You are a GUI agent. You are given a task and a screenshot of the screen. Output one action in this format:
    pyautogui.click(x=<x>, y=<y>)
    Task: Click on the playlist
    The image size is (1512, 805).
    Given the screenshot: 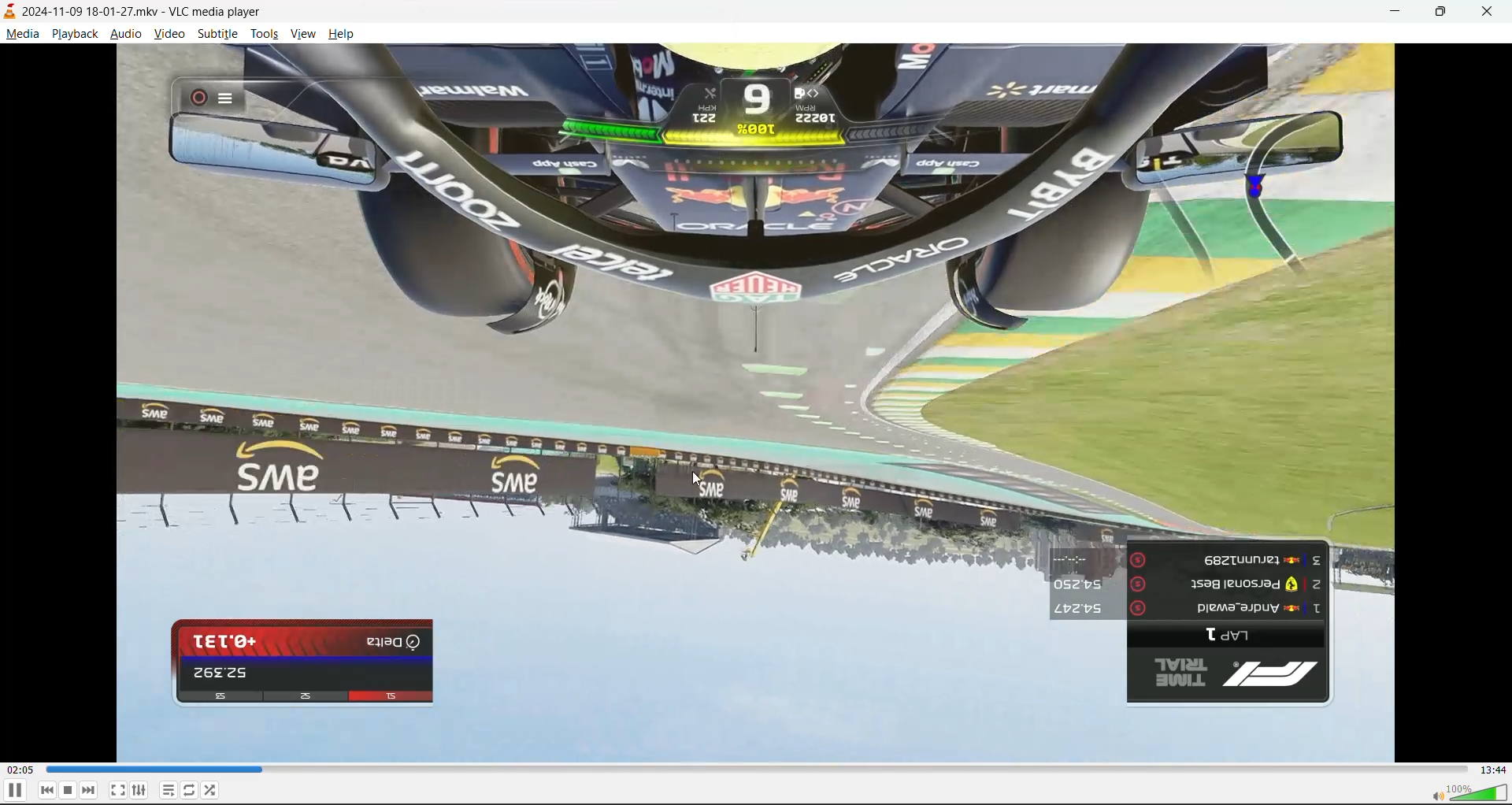 What is the action you would take?
    pyautogui.click(x=169, y=790)
    